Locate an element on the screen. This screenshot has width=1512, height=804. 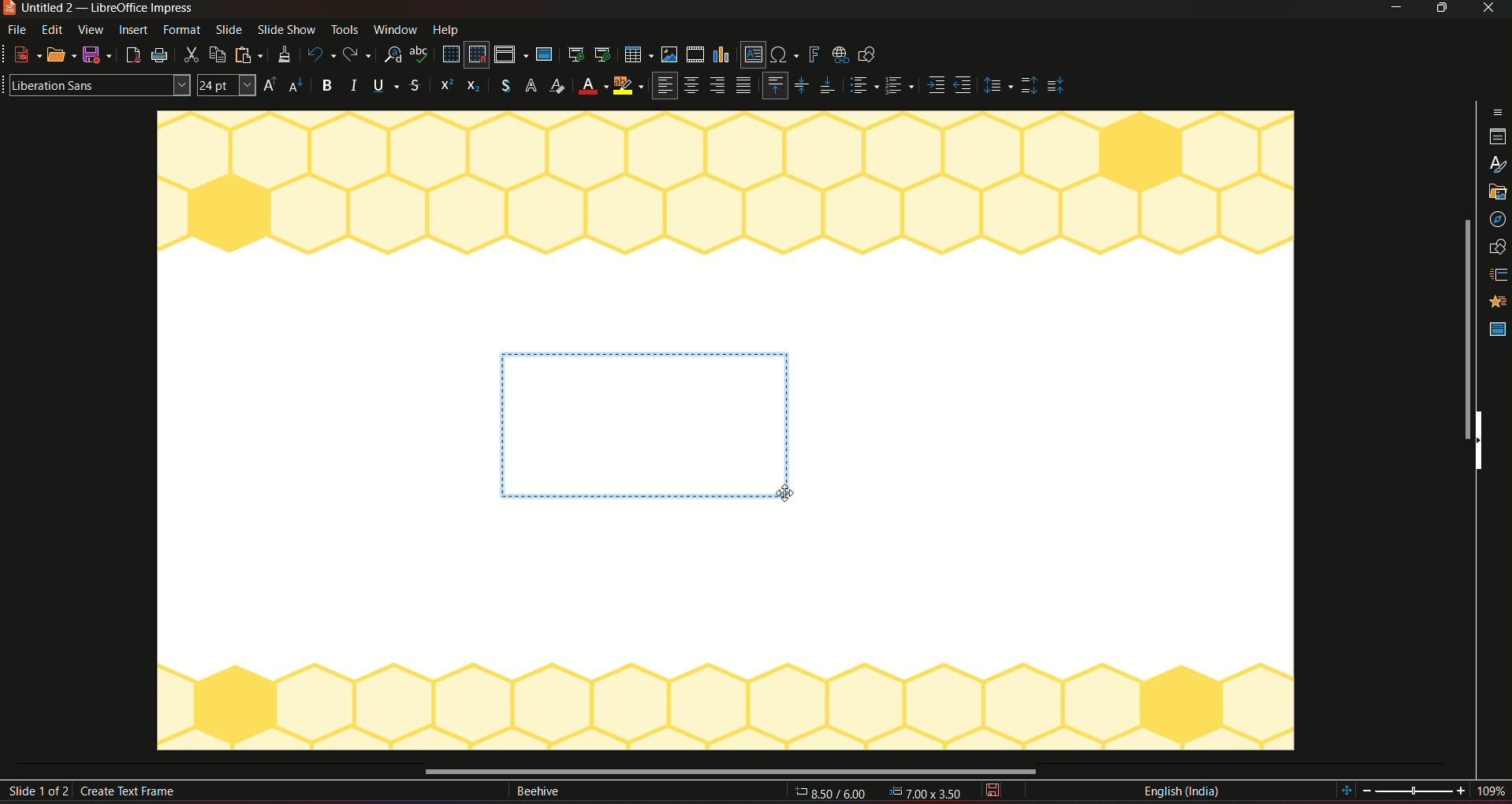
close is located at coordinates (1488, 9).